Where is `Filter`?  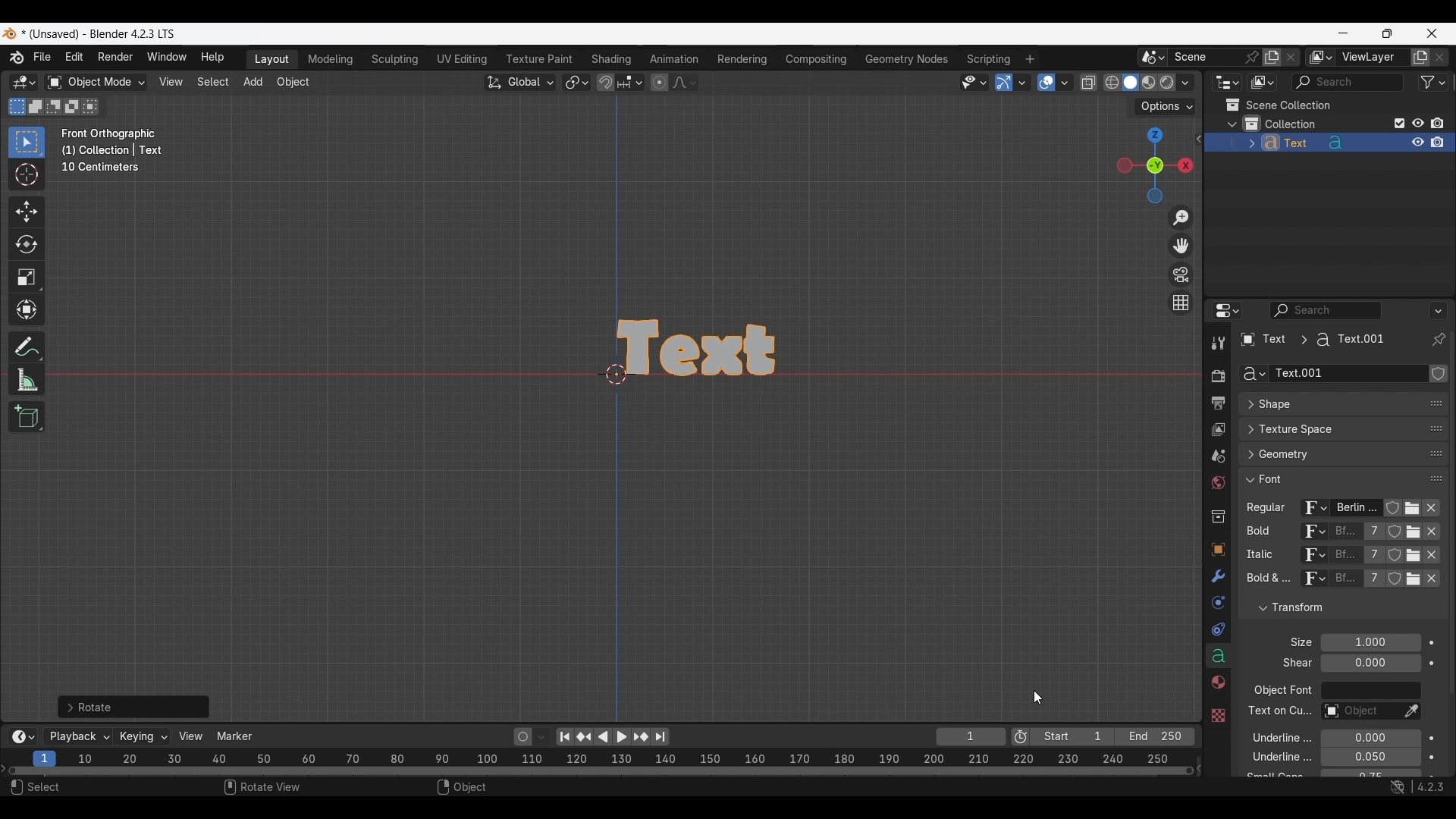
Filter is located at coordinates (1433, 82).